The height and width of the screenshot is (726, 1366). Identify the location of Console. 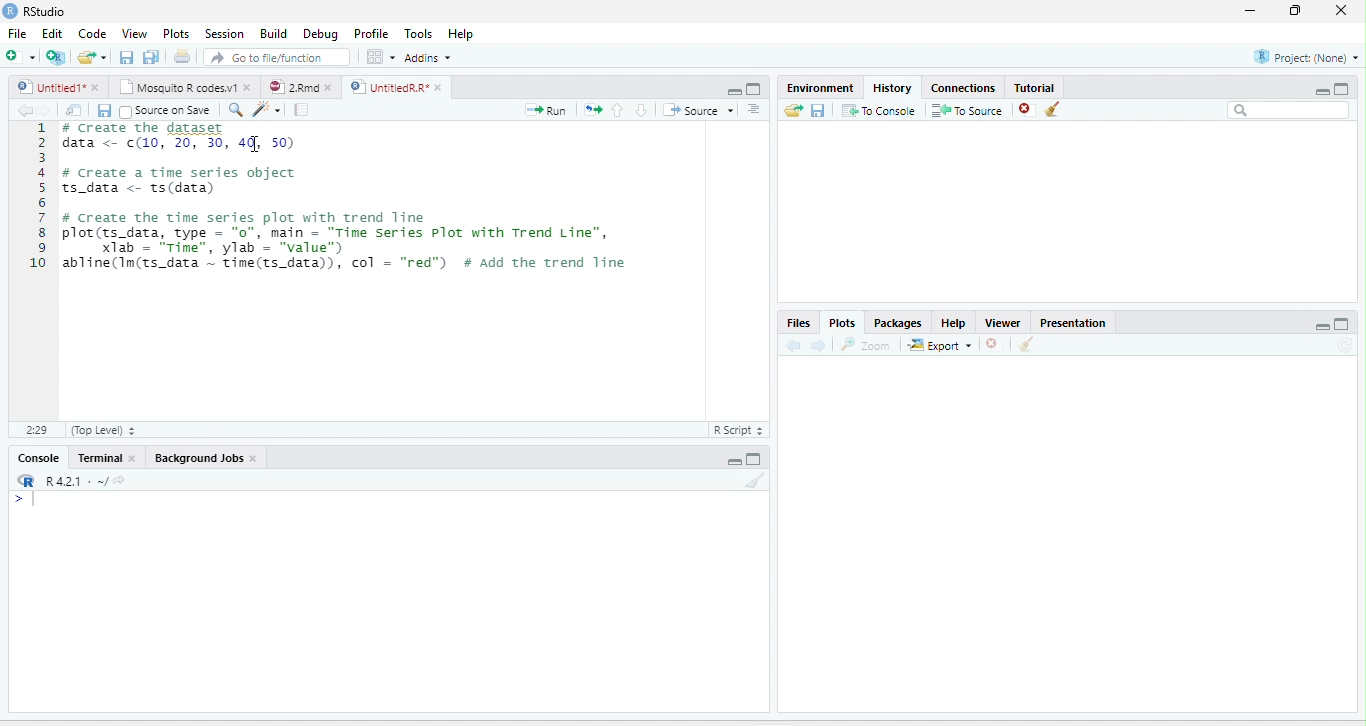
(39, 458).